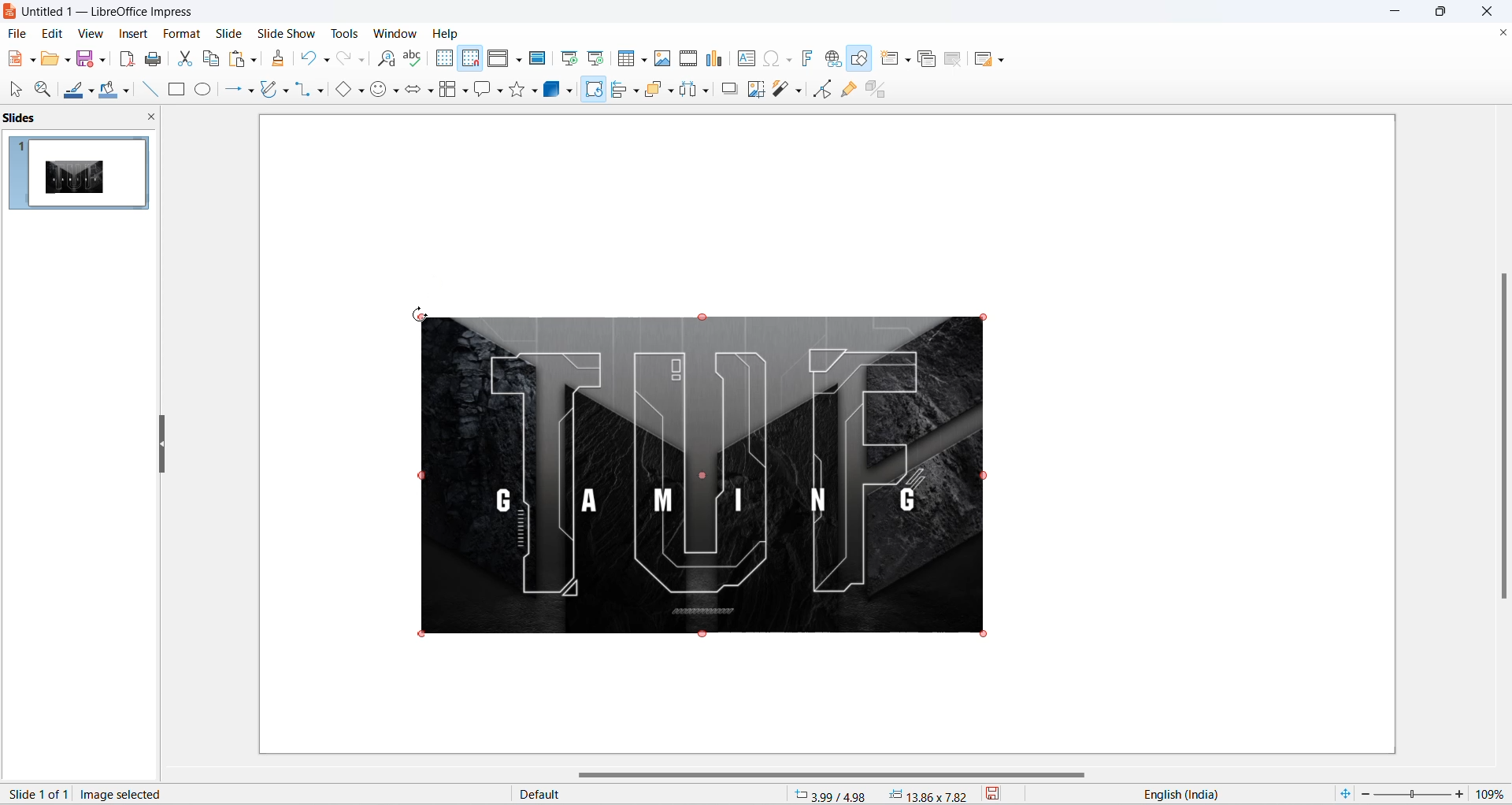  What do you see at coordinates (413, 92) in the screenshot?
I see `block arrows` at bounding box center [413, 92].